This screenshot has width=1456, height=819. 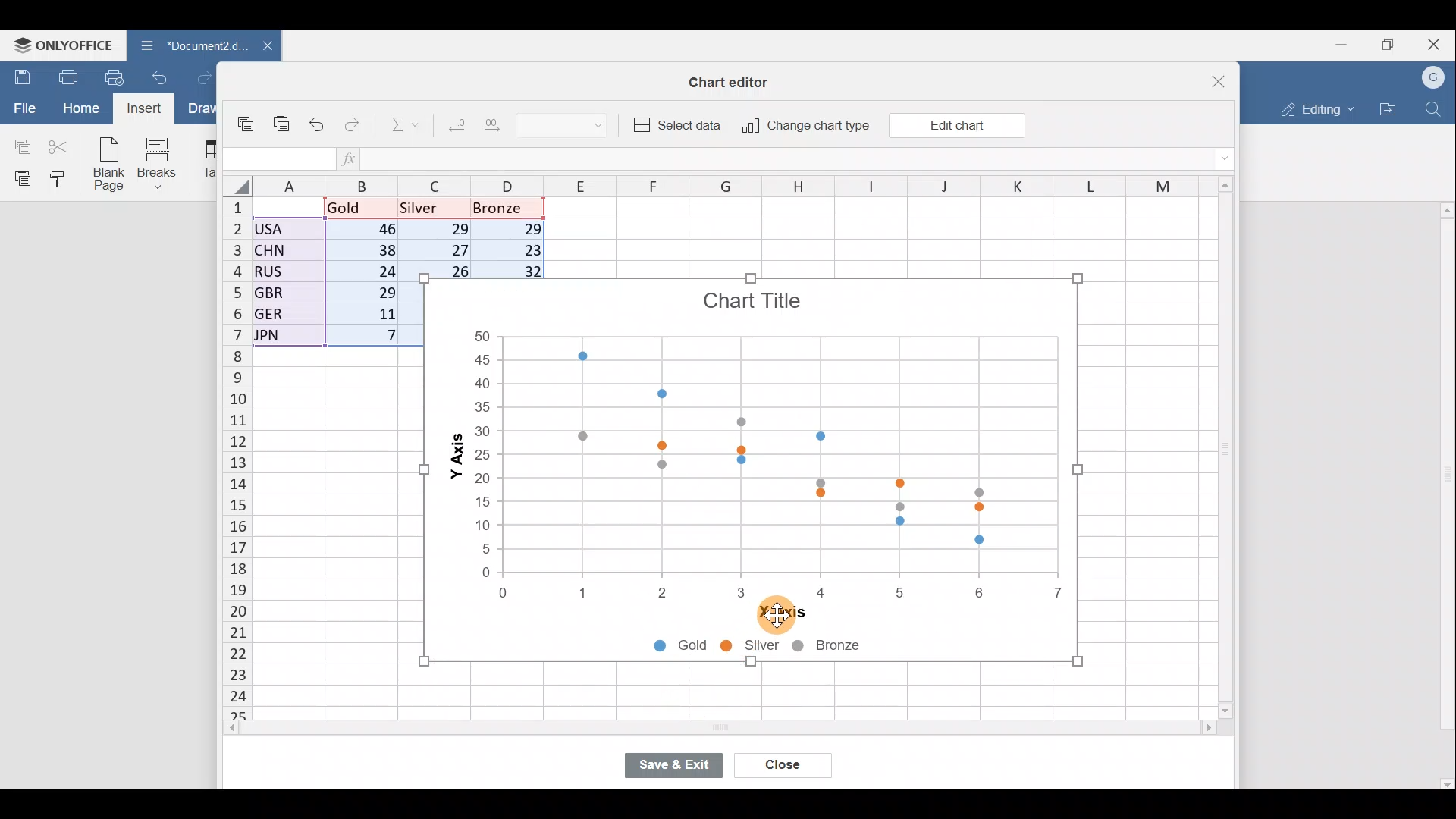 What do you see at coordinates (1444, 495) in the screenshot?
I see `Scroll bar` at bounding box center [1444, 495].